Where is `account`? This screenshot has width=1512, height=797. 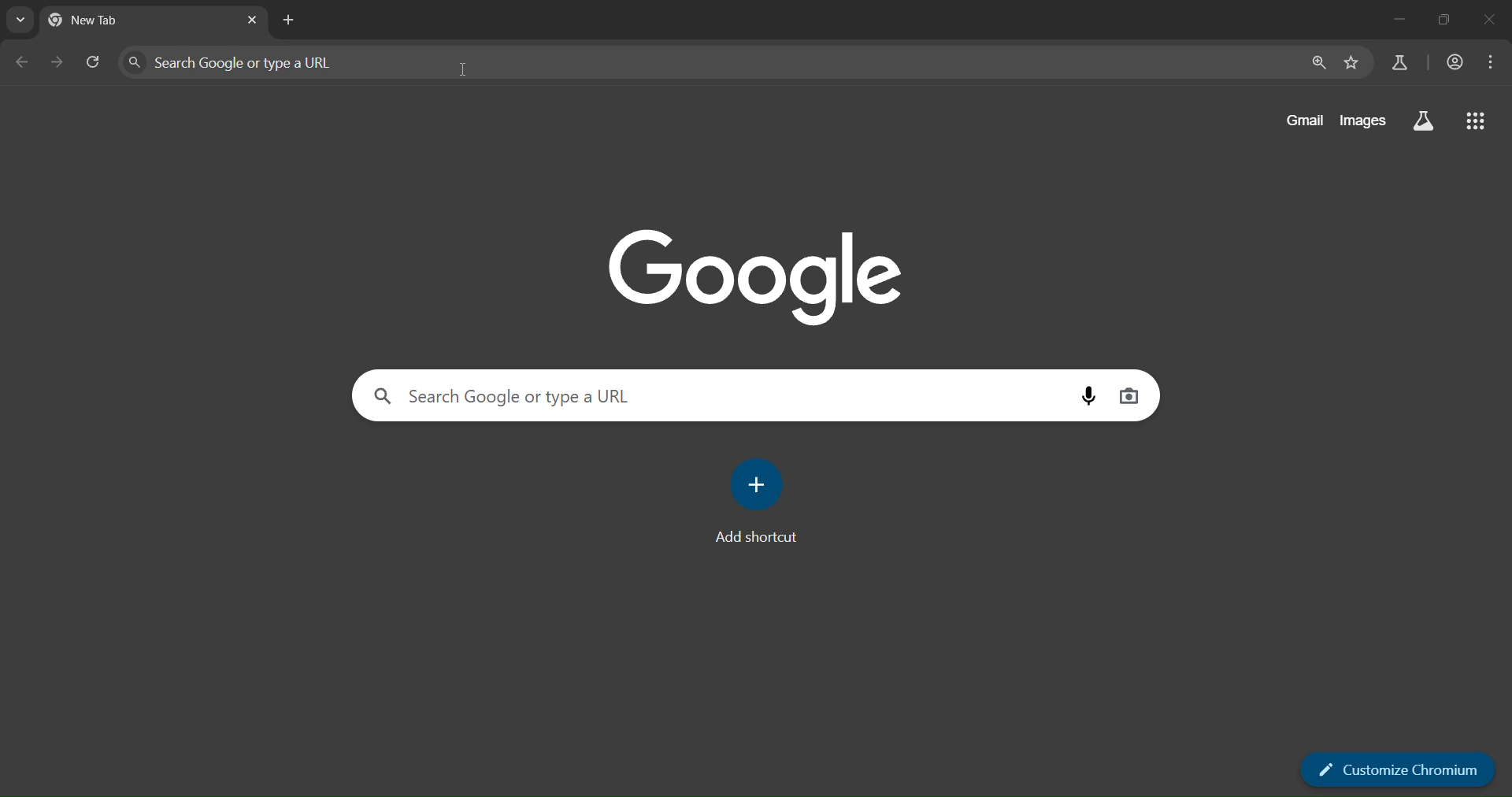
account is located at coordinates (1455, 61).